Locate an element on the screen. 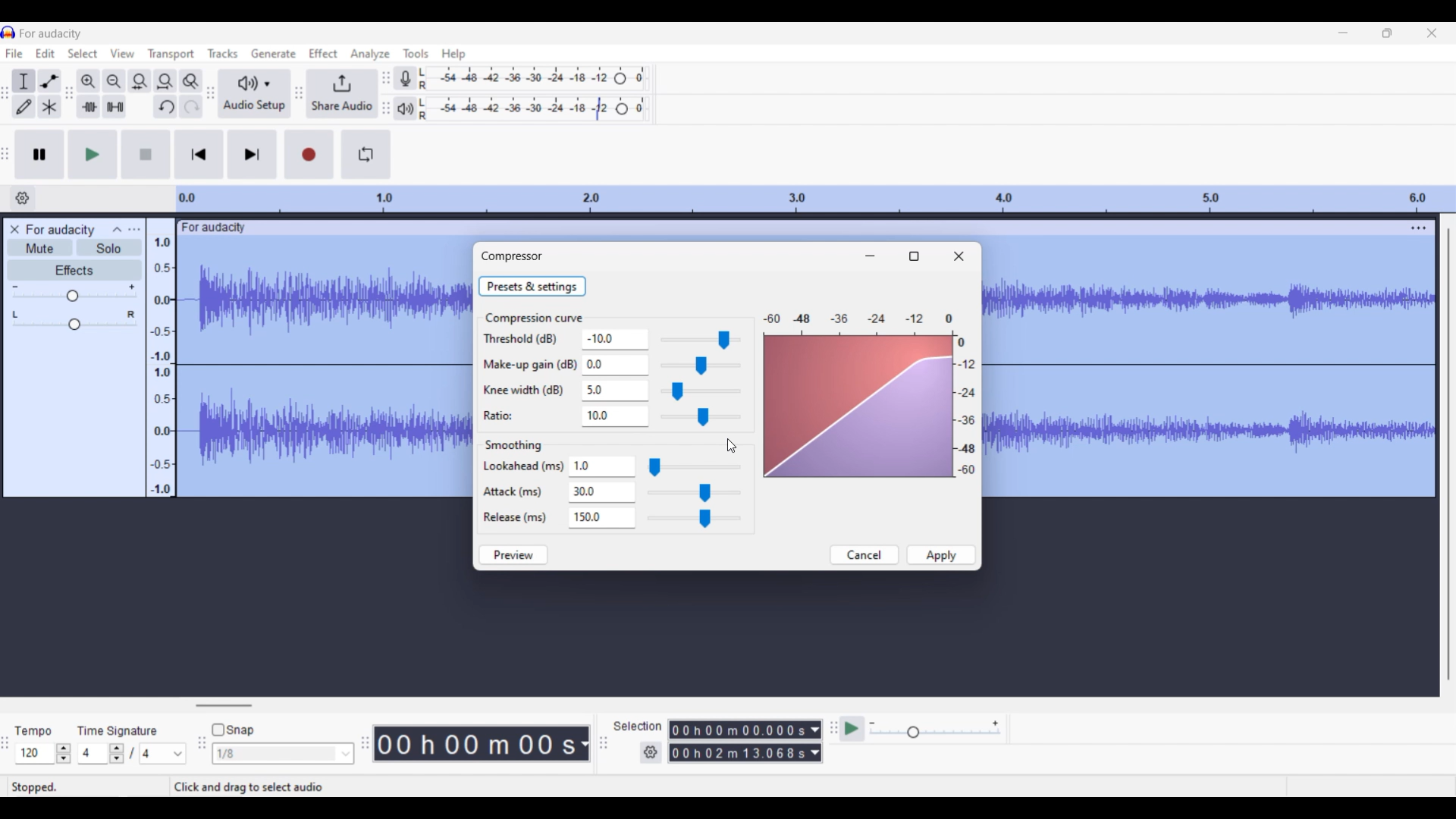 This screenshot has height=819, width=1456. Software logo is located at coordinates (8, 33).